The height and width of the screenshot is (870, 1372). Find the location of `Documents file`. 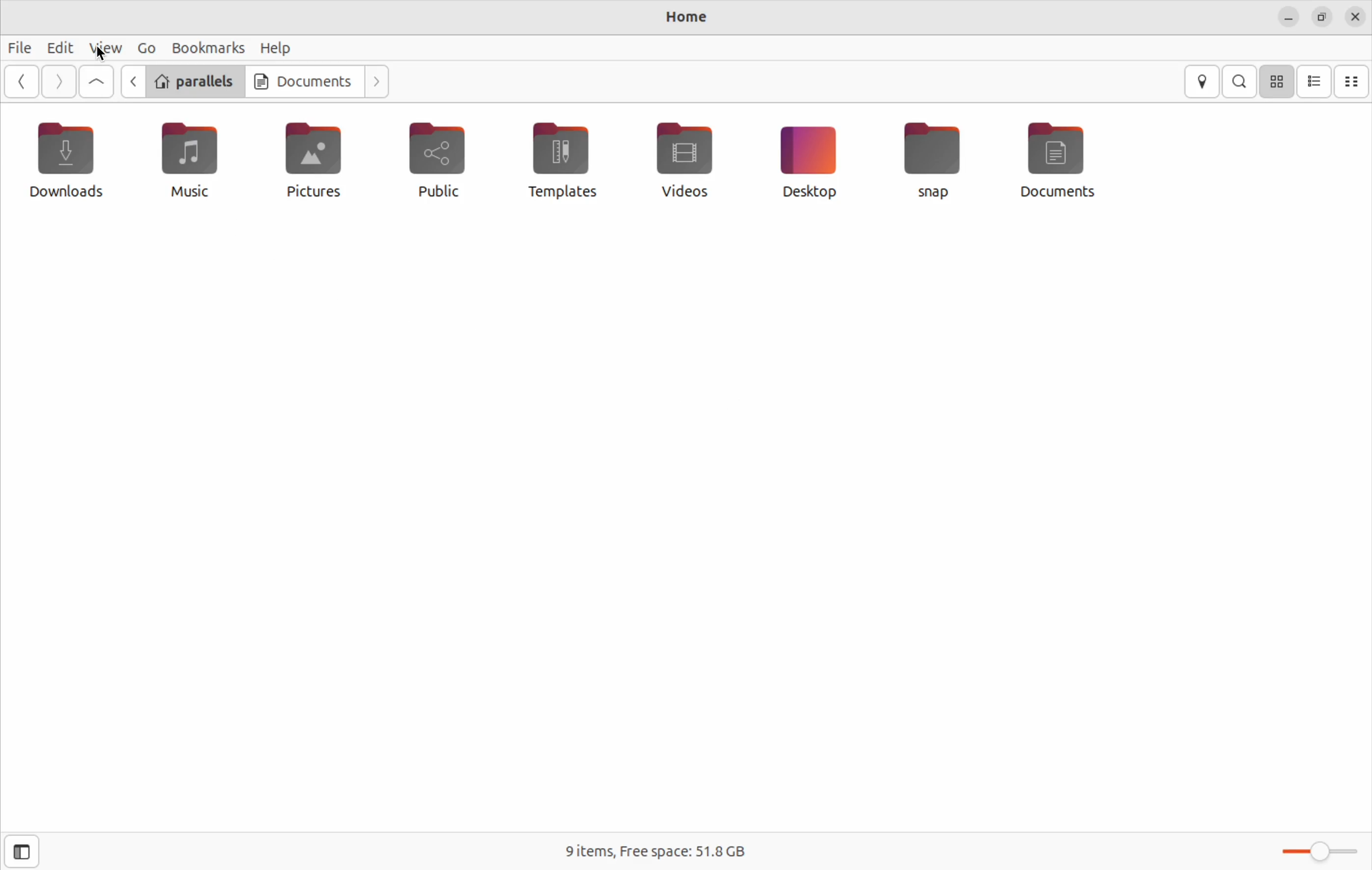

Documents file is located at coordinates (1069, 160).